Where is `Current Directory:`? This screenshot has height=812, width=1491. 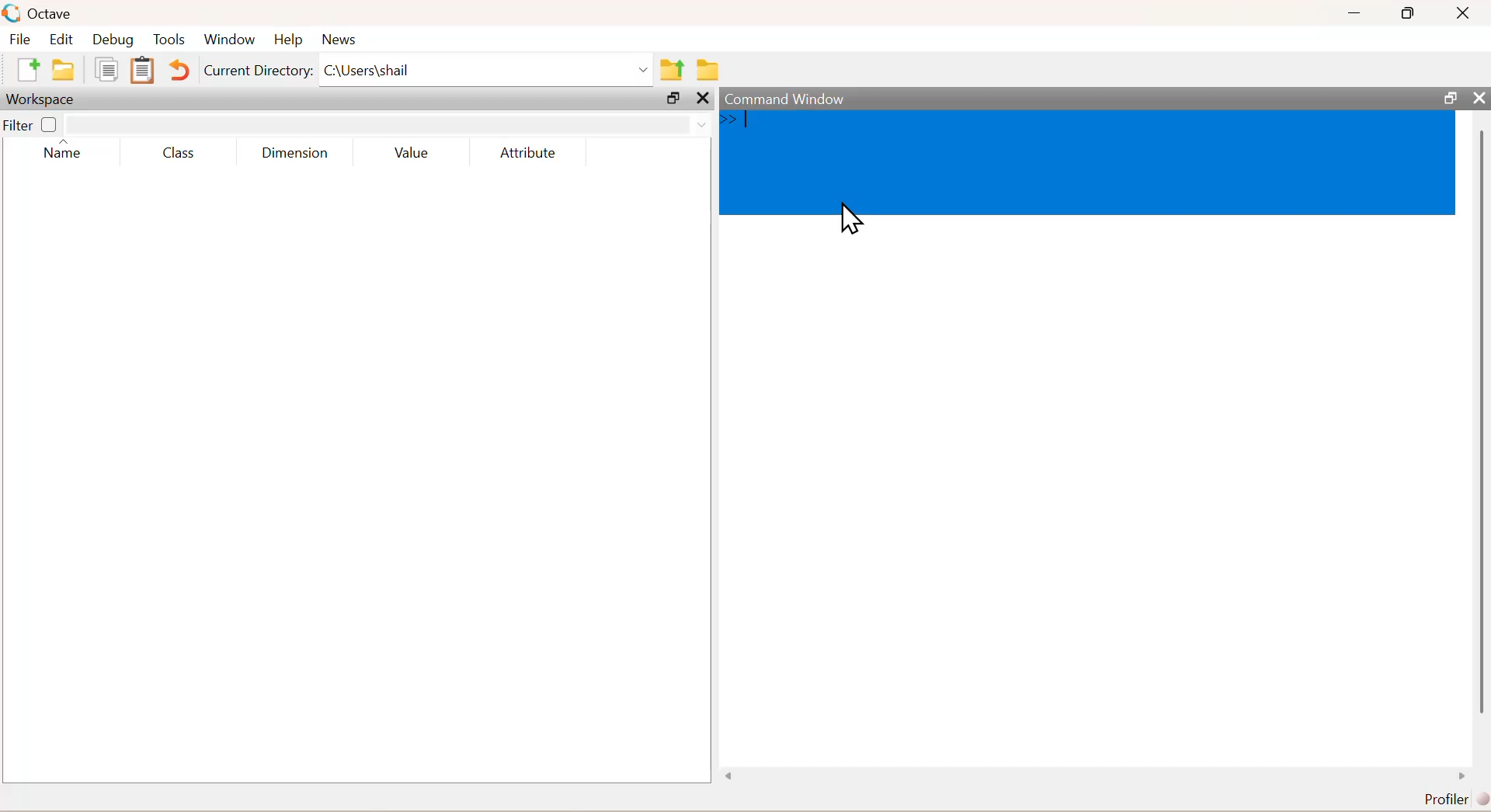
Current Directory: is located at coordinates (259, 71).